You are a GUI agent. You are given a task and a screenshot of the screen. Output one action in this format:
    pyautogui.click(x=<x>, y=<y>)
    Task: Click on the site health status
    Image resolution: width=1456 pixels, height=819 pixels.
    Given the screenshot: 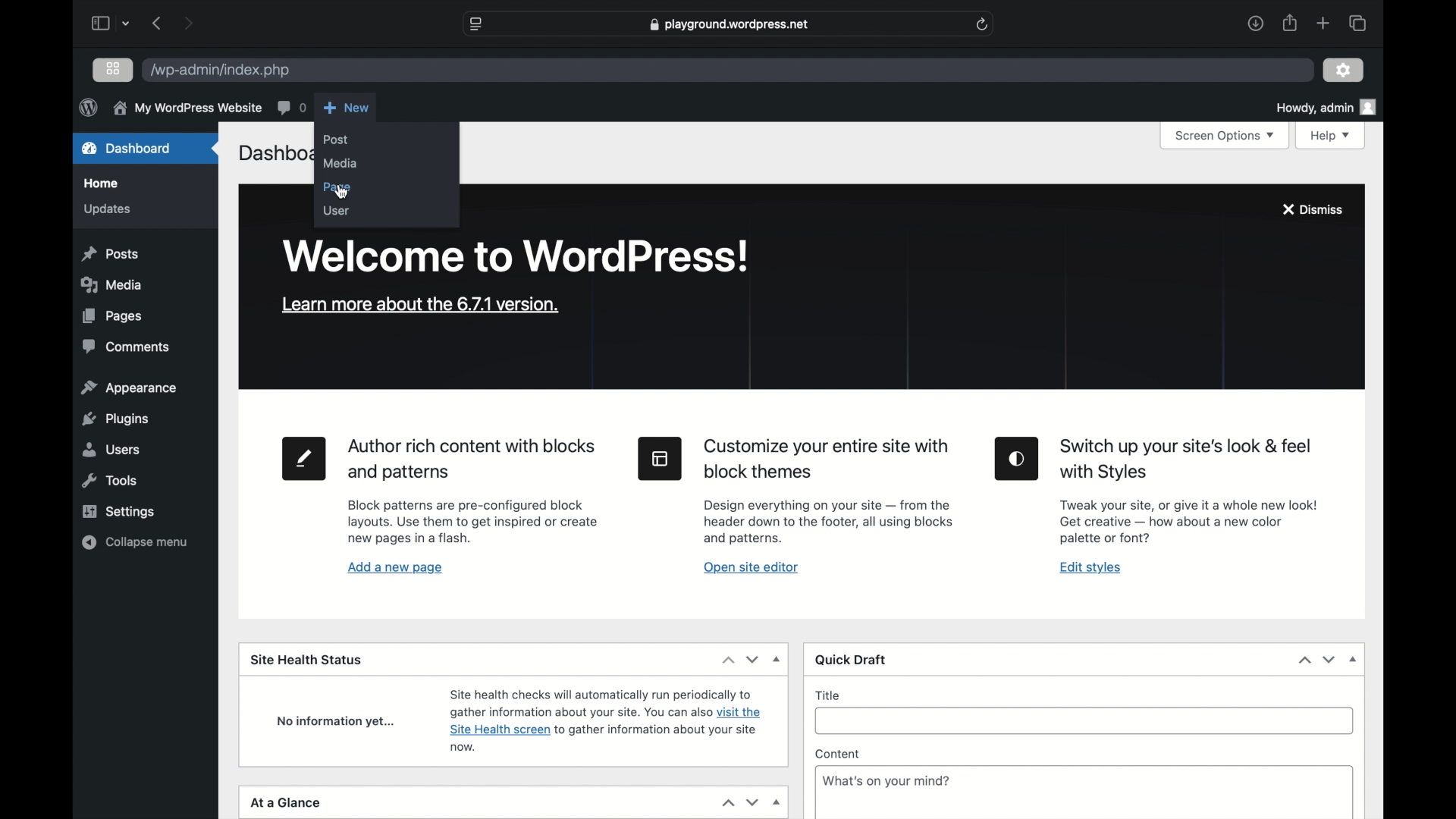 What is the action you would take?
    pyautogui.click(x=306, y=658)
    